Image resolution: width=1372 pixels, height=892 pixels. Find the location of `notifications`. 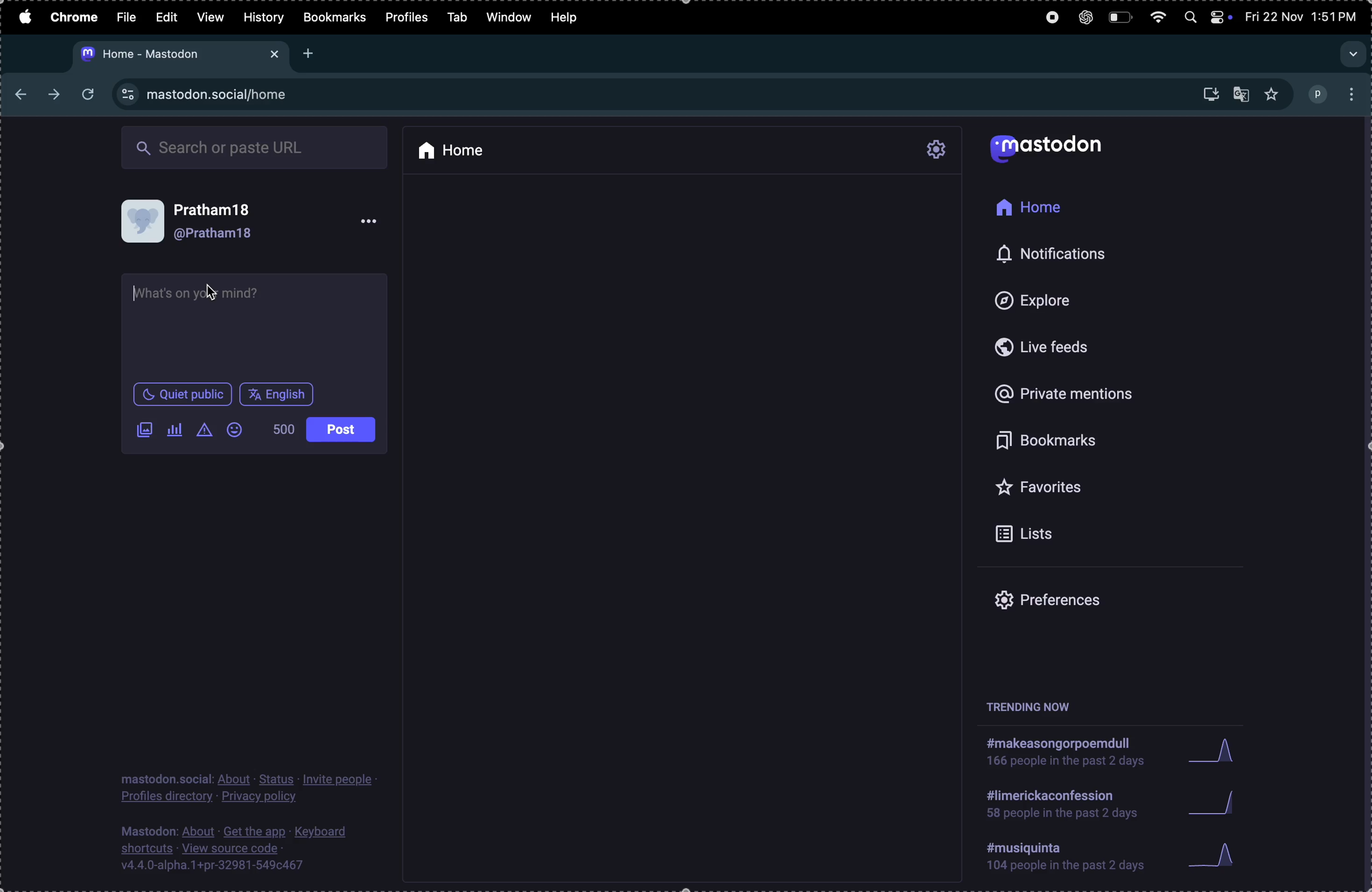

notifications is located at coordinates (1074, 252).